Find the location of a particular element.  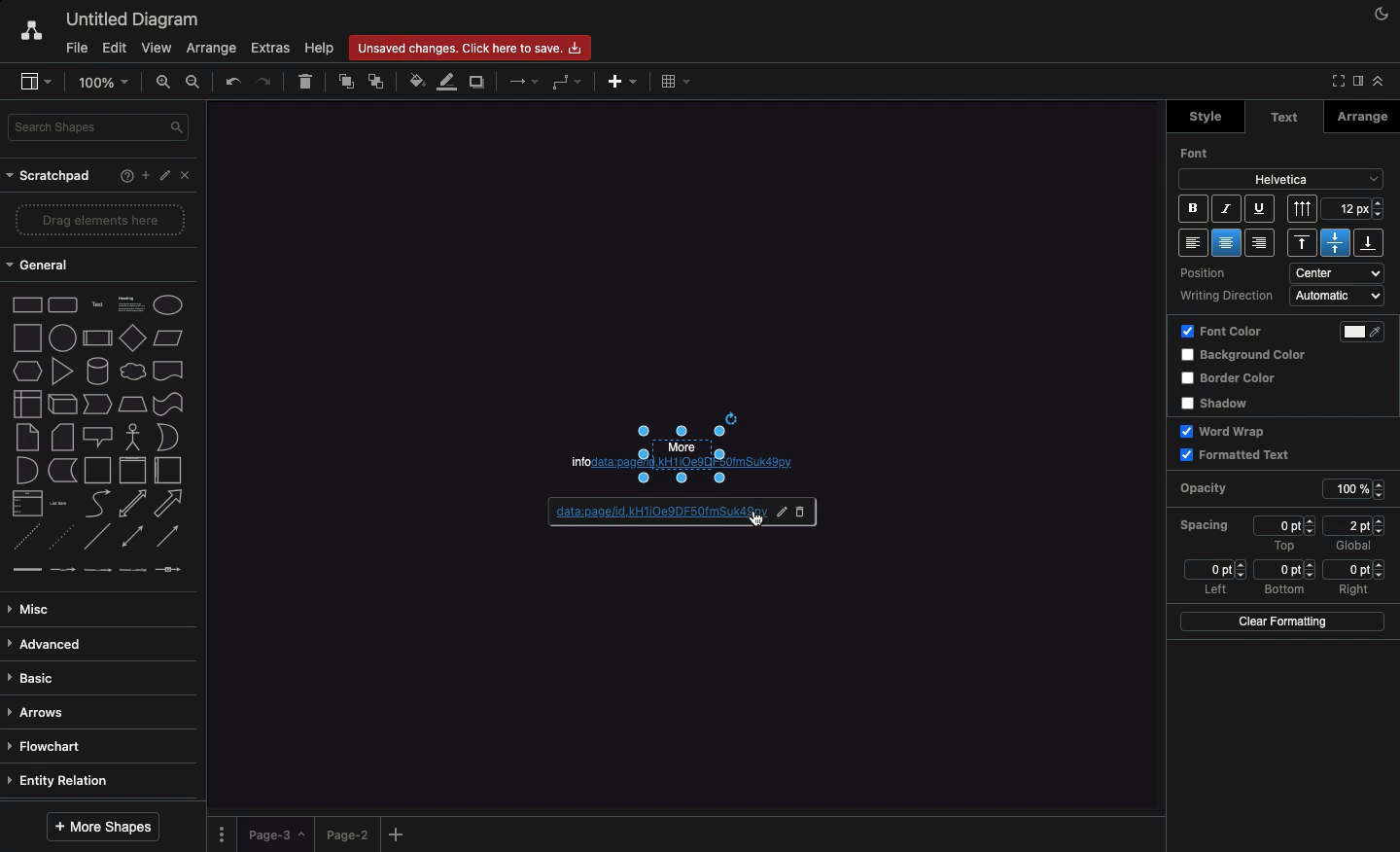

link is located at coordinates (26, 569).